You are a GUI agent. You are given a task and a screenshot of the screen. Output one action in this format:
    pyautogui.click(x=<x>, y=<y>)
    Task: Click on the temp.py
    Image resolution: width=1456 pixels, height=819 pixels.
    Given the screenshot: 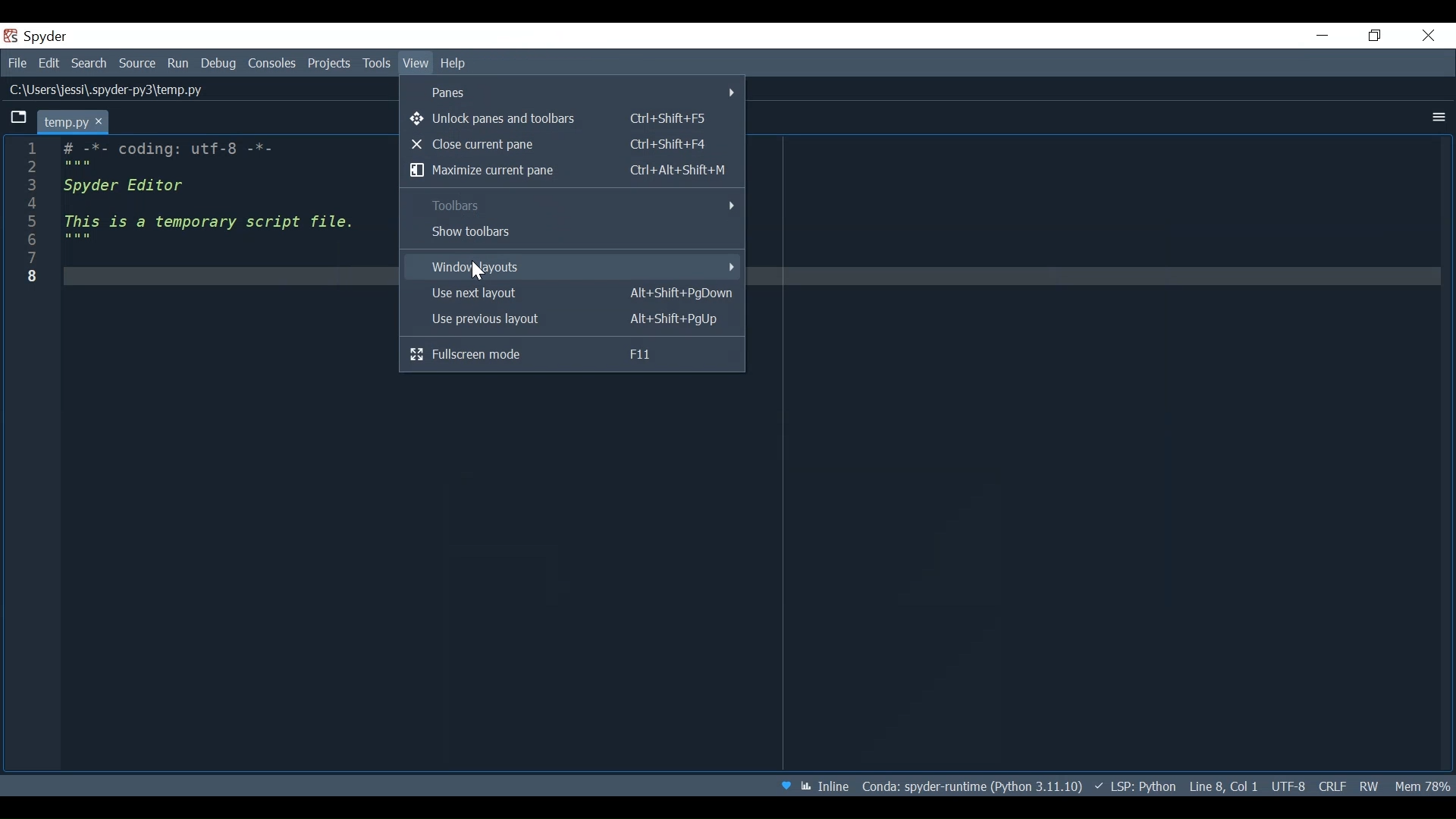 What is the action you would take?
    pyautogui.click(x=76, y=121)
    